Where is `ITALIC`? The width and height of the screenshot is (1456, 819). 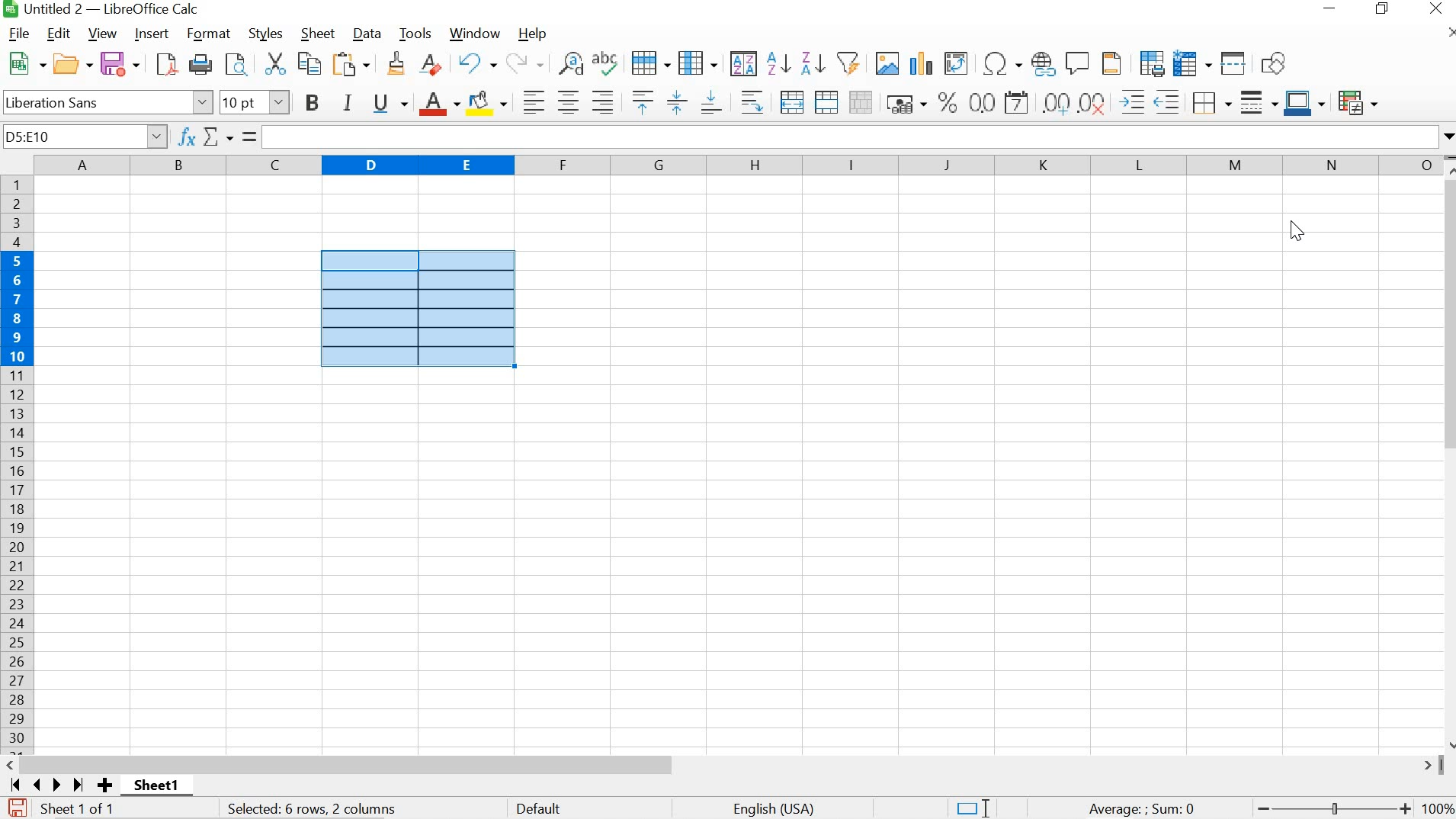 ITALIC is located at coordinates (348, 102).